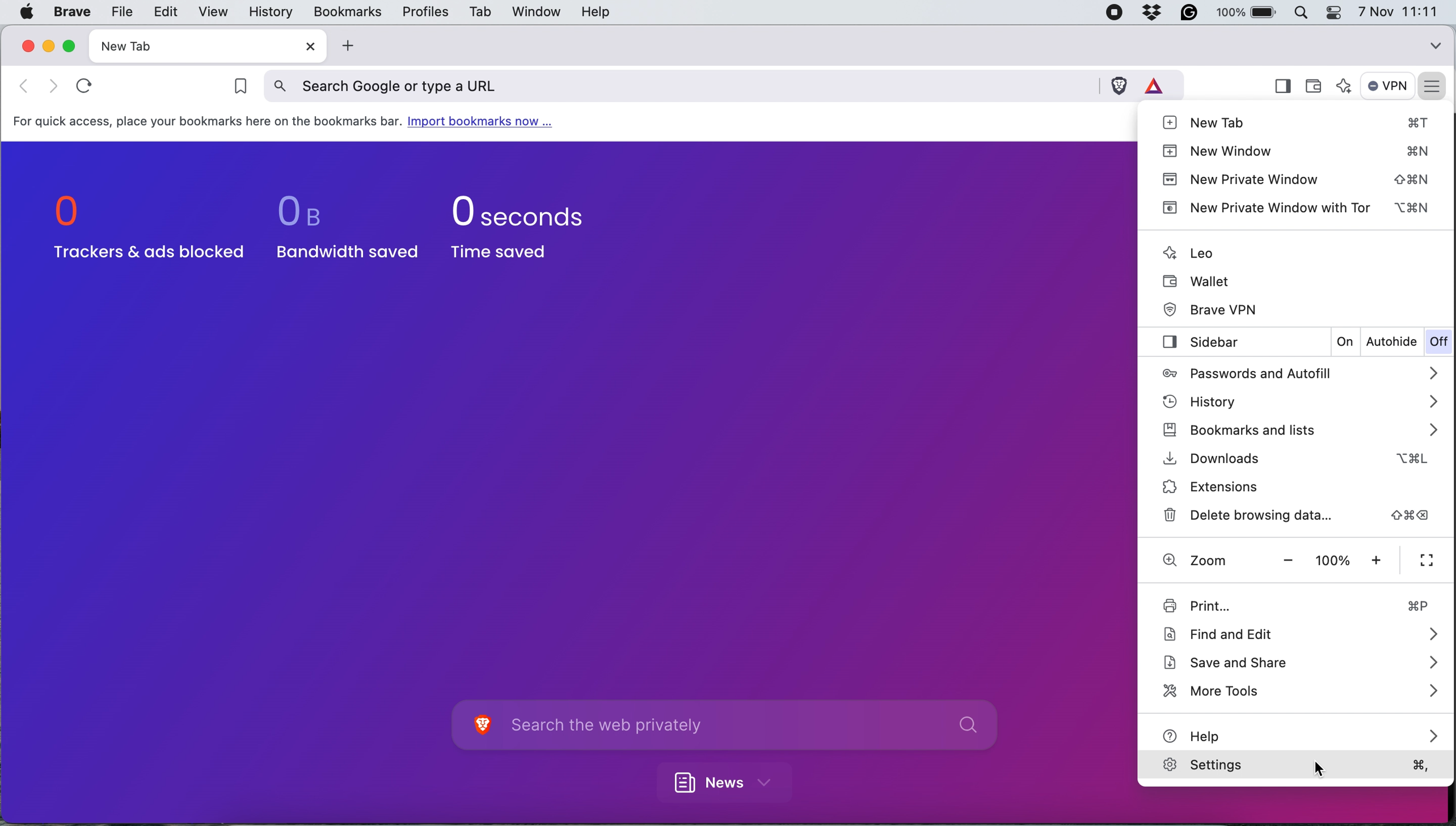 This screenshot has height=826, width=1456. Describe the element at coordinates (533, 11) in the screenshot. I see `window` at that location.